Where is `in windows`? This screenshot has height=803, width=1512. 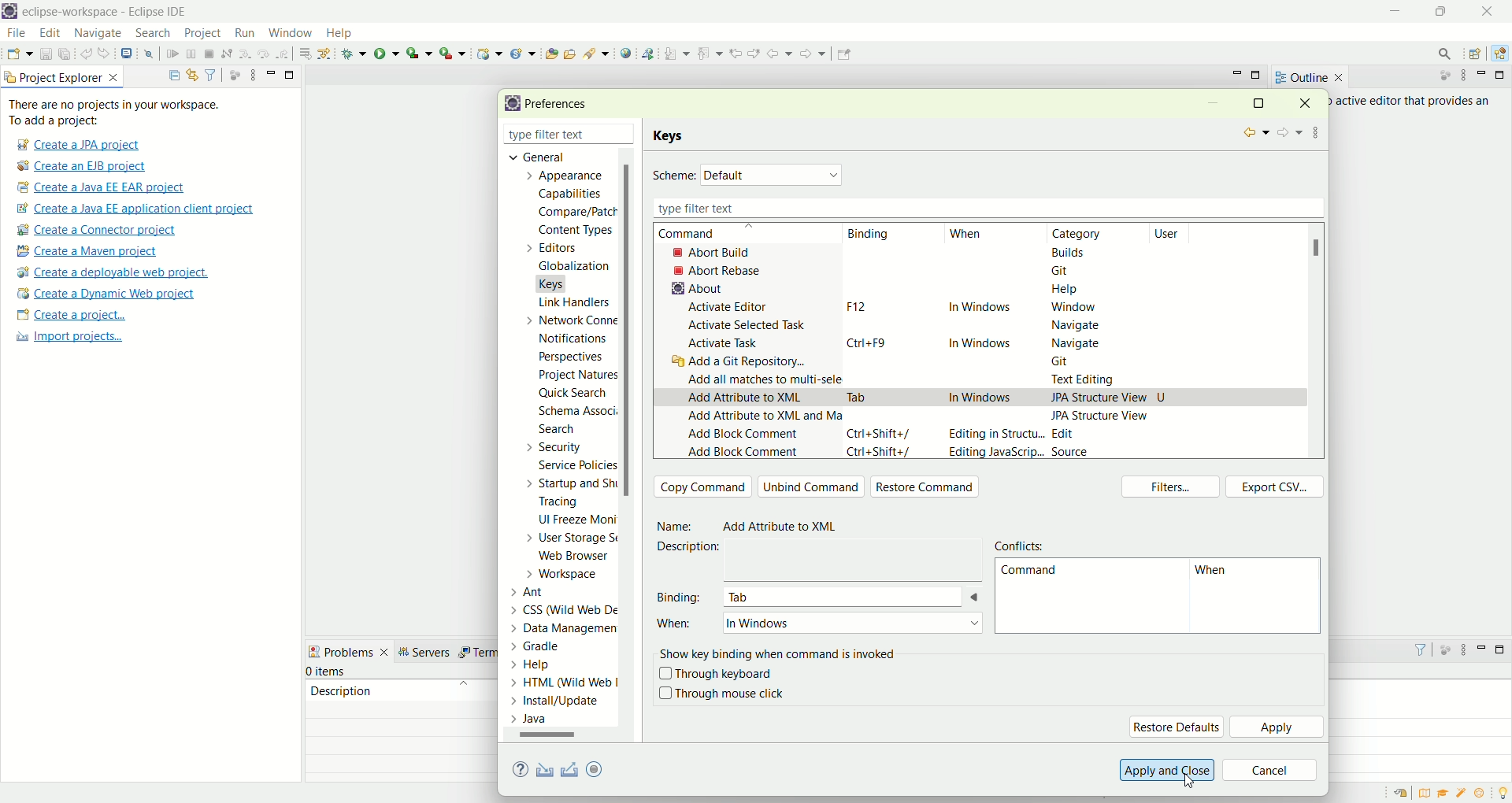
in windows is located at coordinates (980, 309).